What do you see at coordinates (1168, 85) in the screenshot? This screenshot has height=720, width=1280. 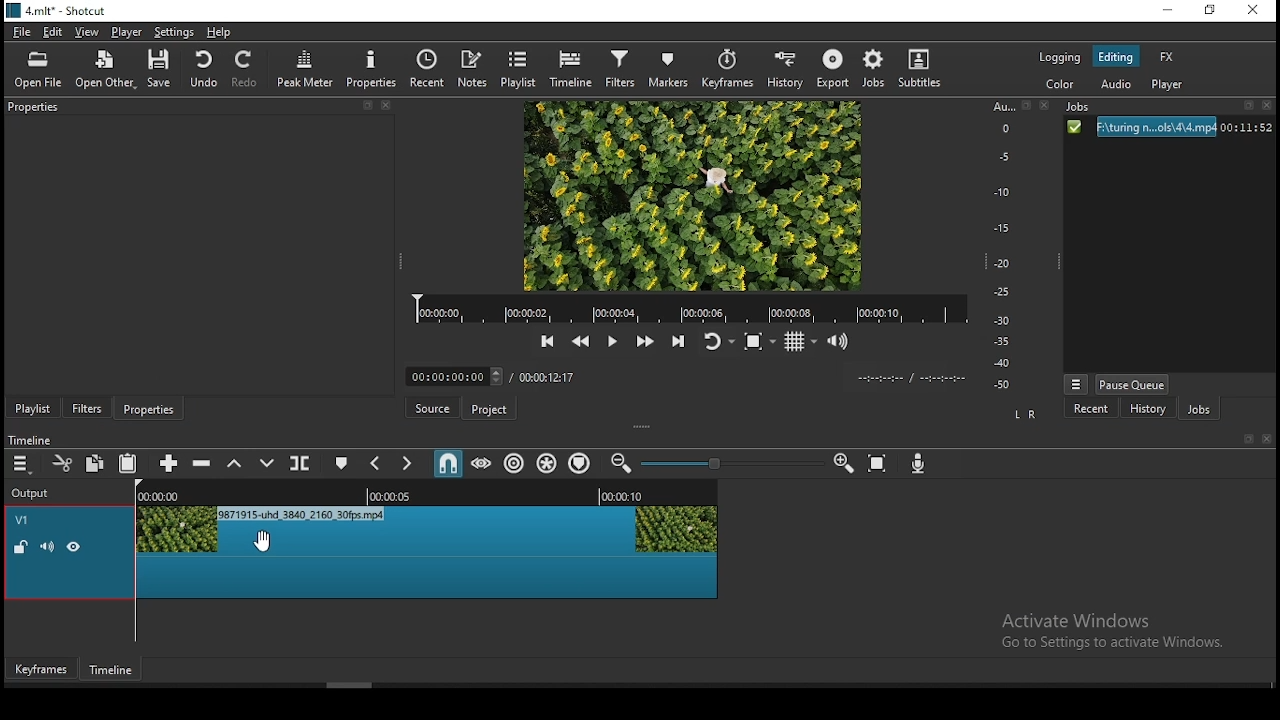 I see `player` at bounding box center [1168, 85].